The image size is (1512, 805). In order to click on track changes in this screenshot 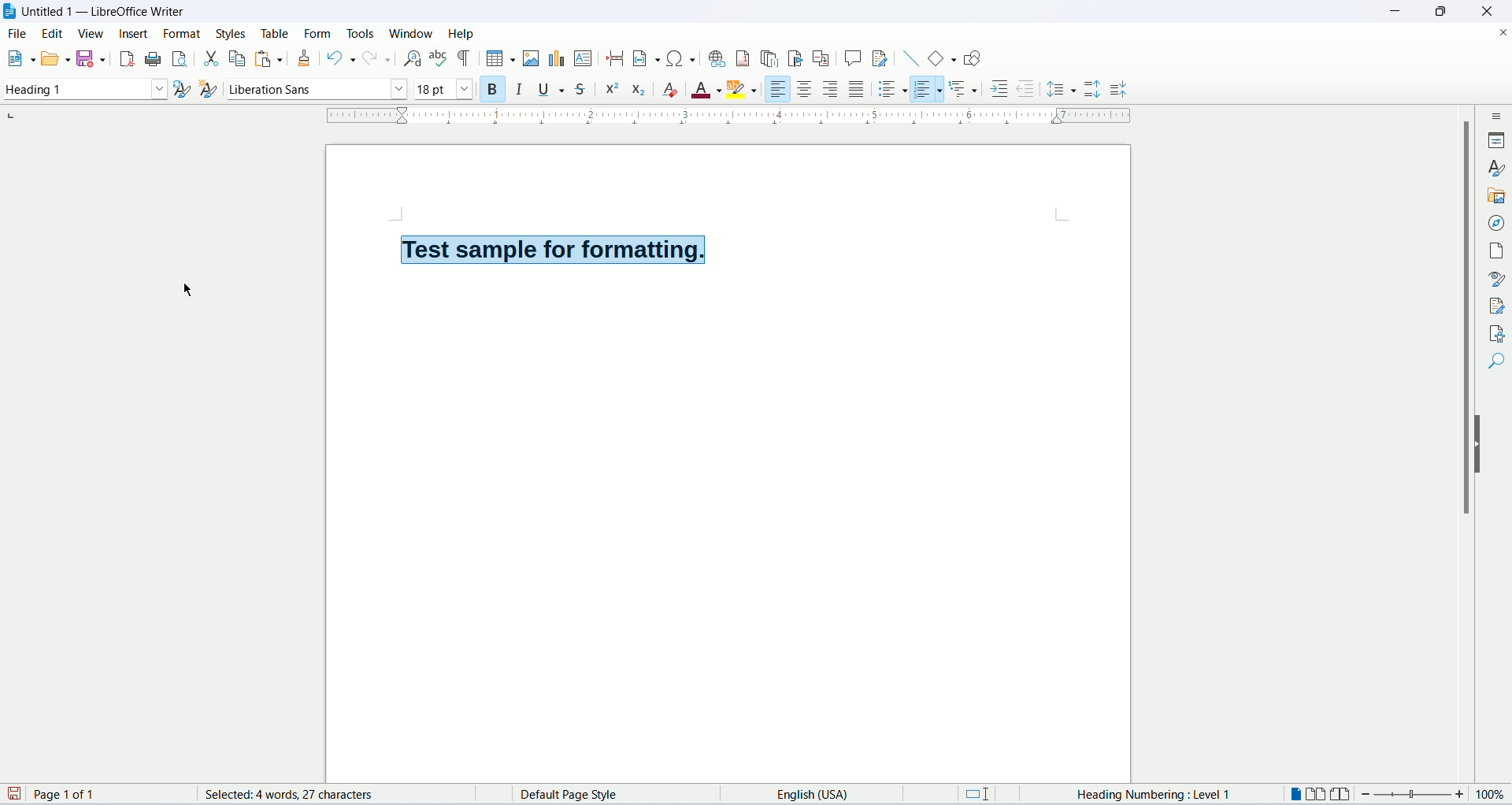, I will do `click(880, 59)`.